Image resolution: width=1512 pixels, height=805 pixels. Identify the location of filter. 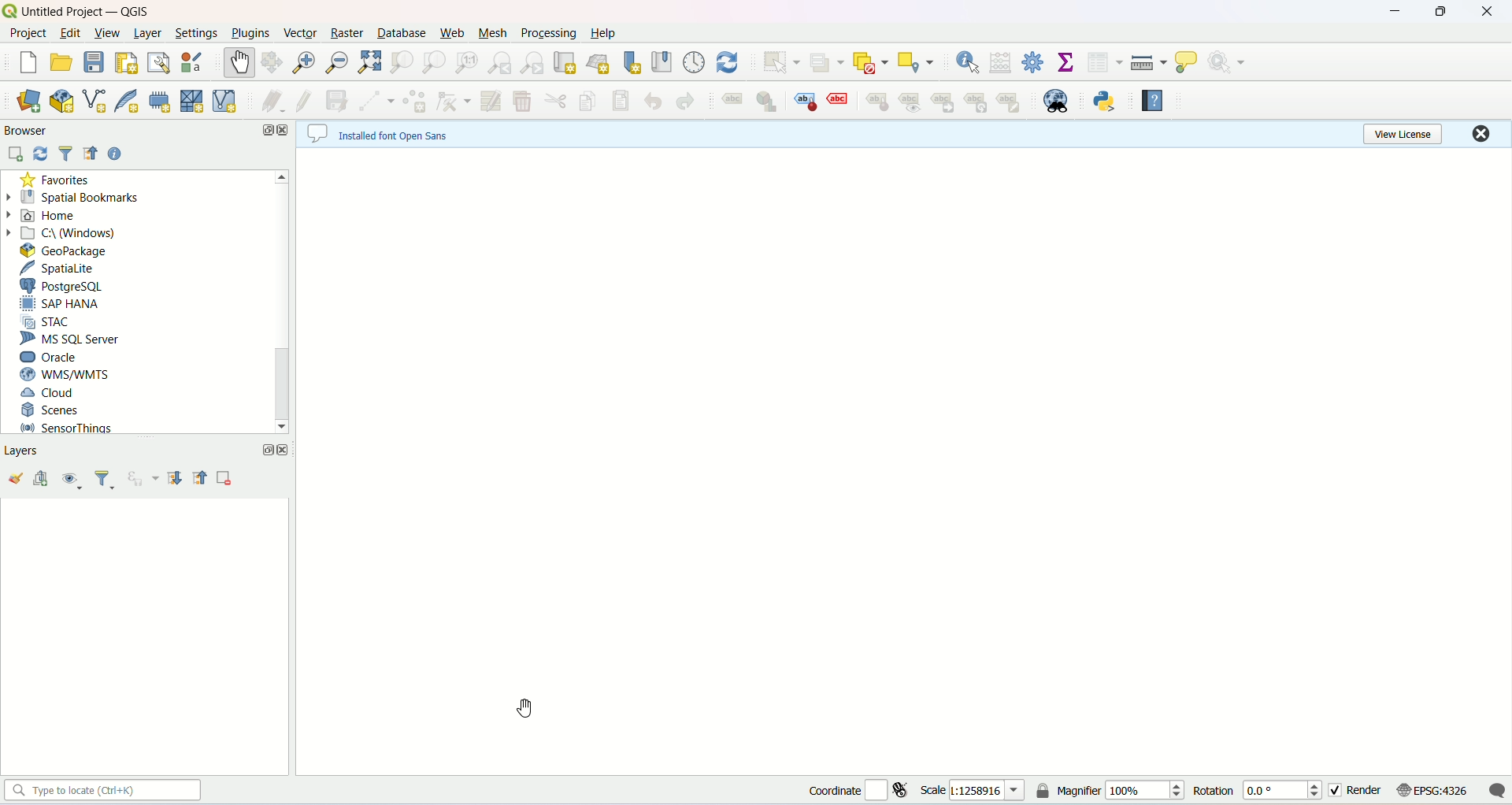
(66, 153).